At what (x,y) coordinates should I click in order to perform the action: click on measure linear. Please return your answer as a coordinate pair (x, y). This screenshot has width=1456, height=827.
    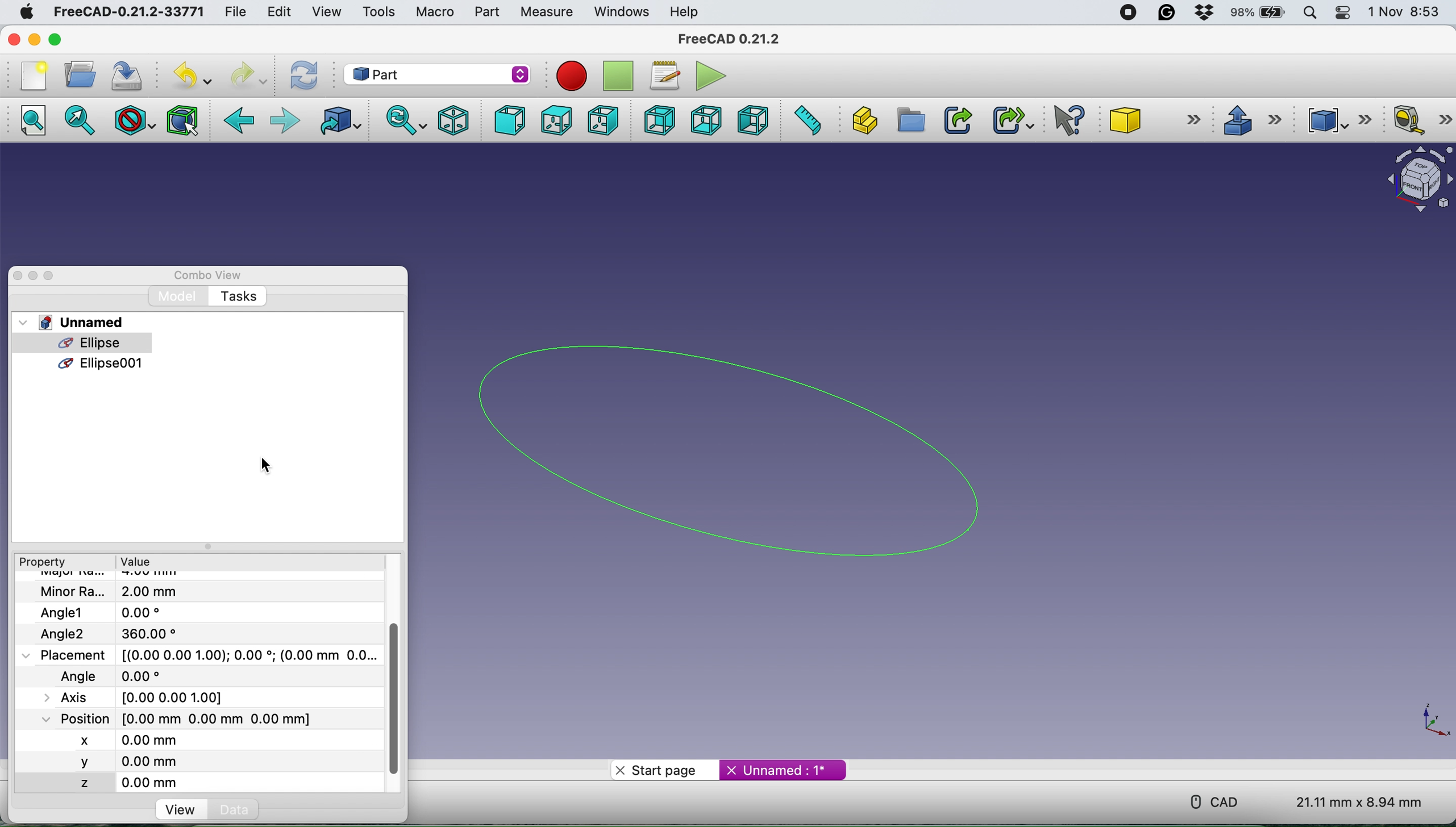
    Looking at the image, I should click on (1419, 120).